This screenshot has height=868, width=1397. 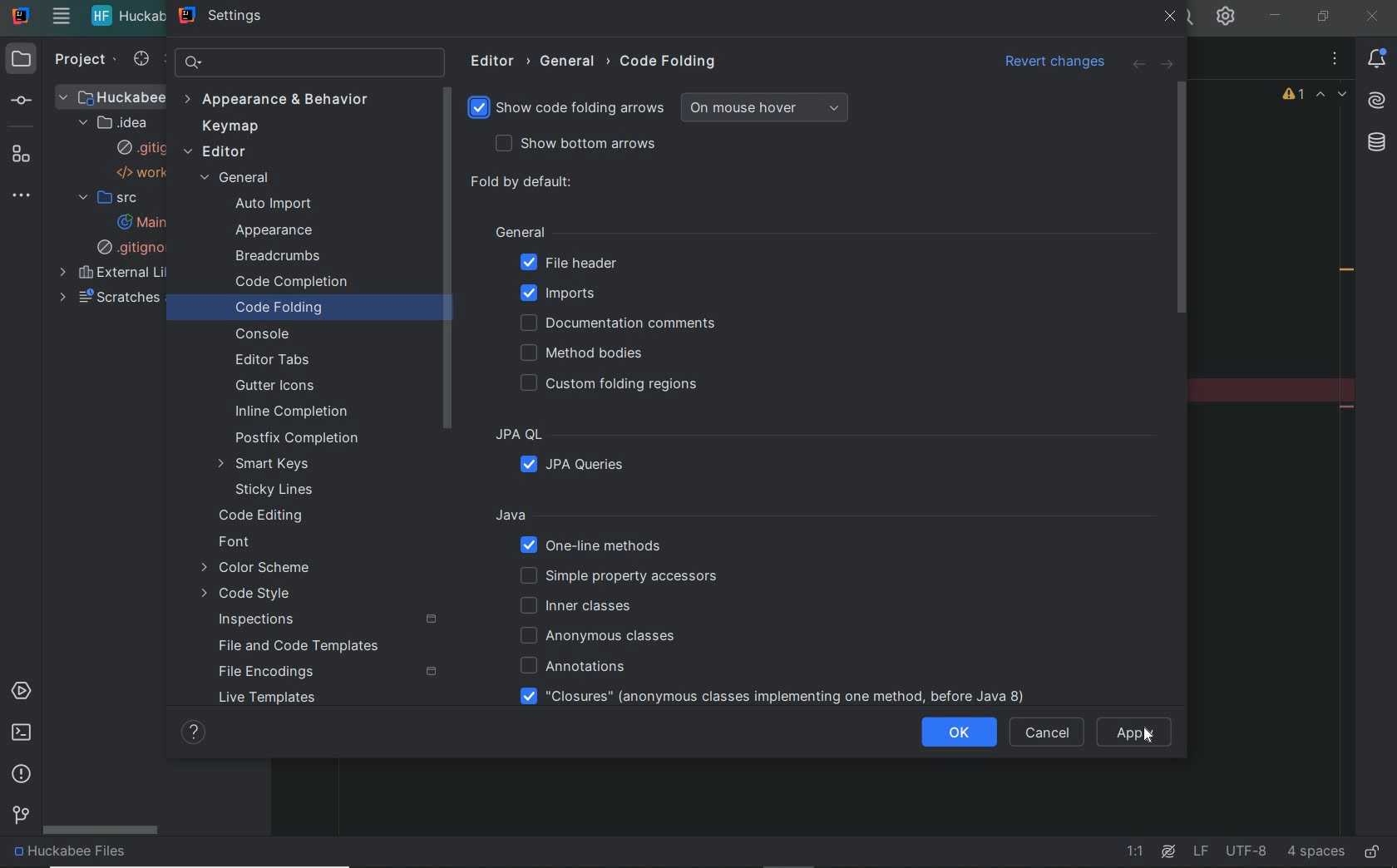 What do you see at coordinates (580, 605) in the screenshot?
I see `inner classes` at bounding box center [580, 605].